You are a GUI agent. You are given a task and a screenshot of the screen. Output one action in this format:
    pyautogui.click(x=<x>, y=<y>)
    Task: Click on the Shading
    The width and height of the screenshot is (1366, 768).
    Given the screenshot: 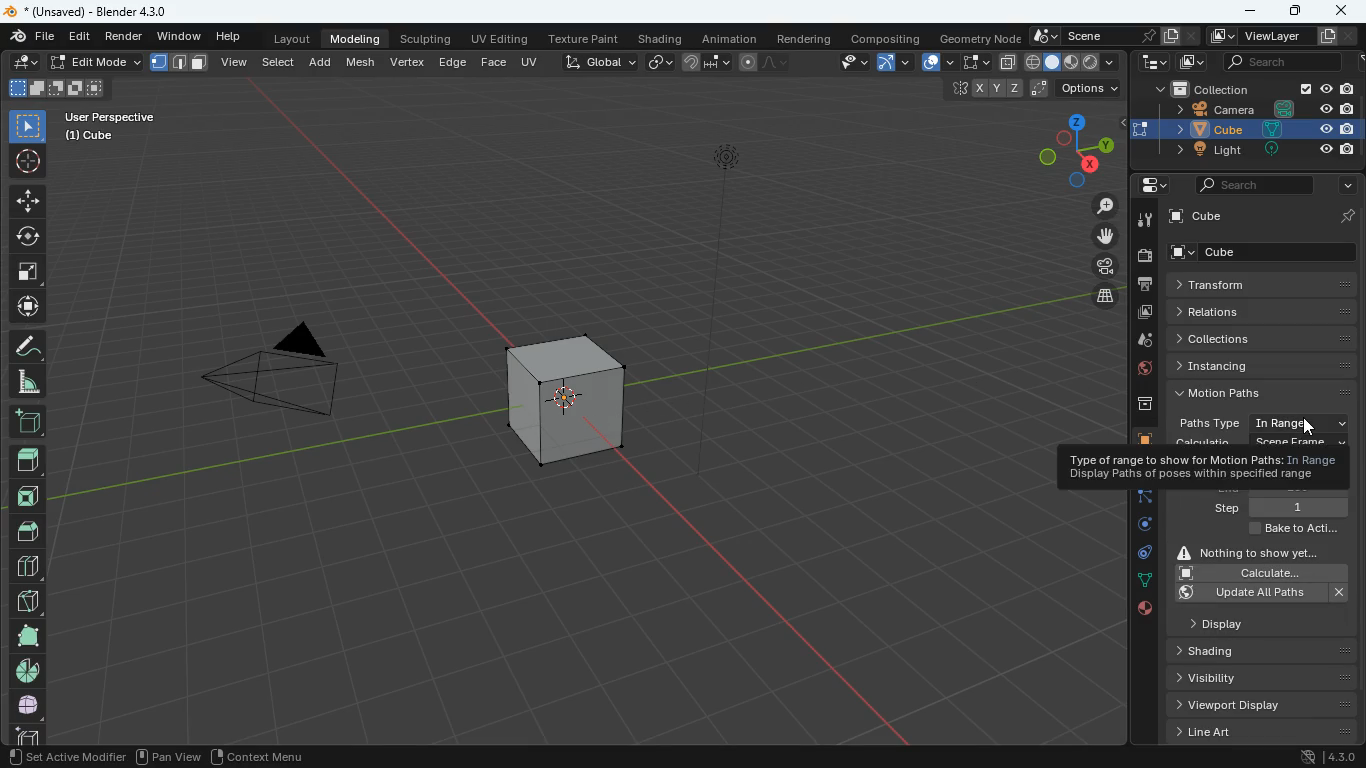 What is the action you would take?
    pyautogui.click(x=1223, y=650)
    